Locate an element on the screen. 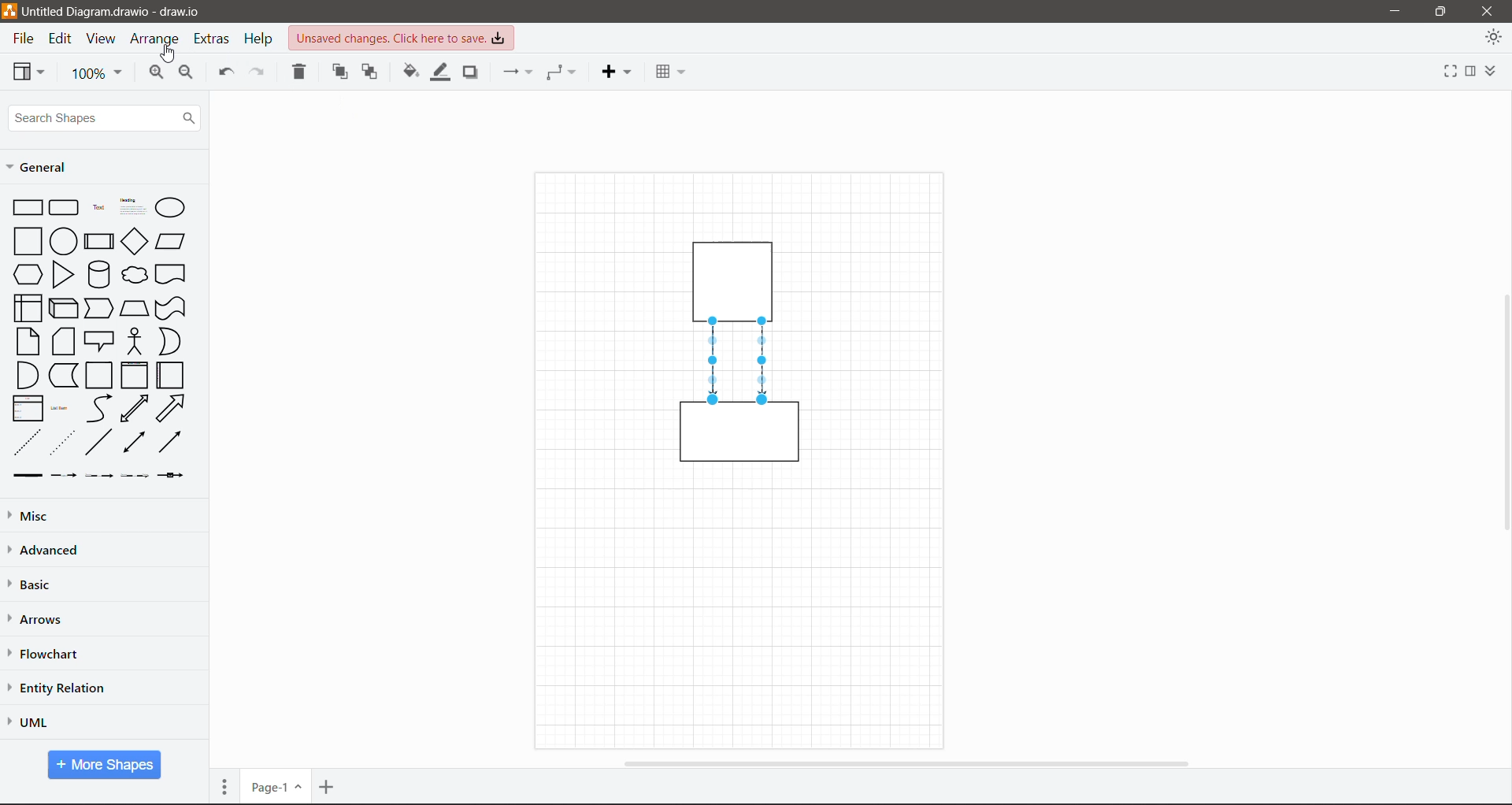  Textbox is located at coordinates (132, 206).